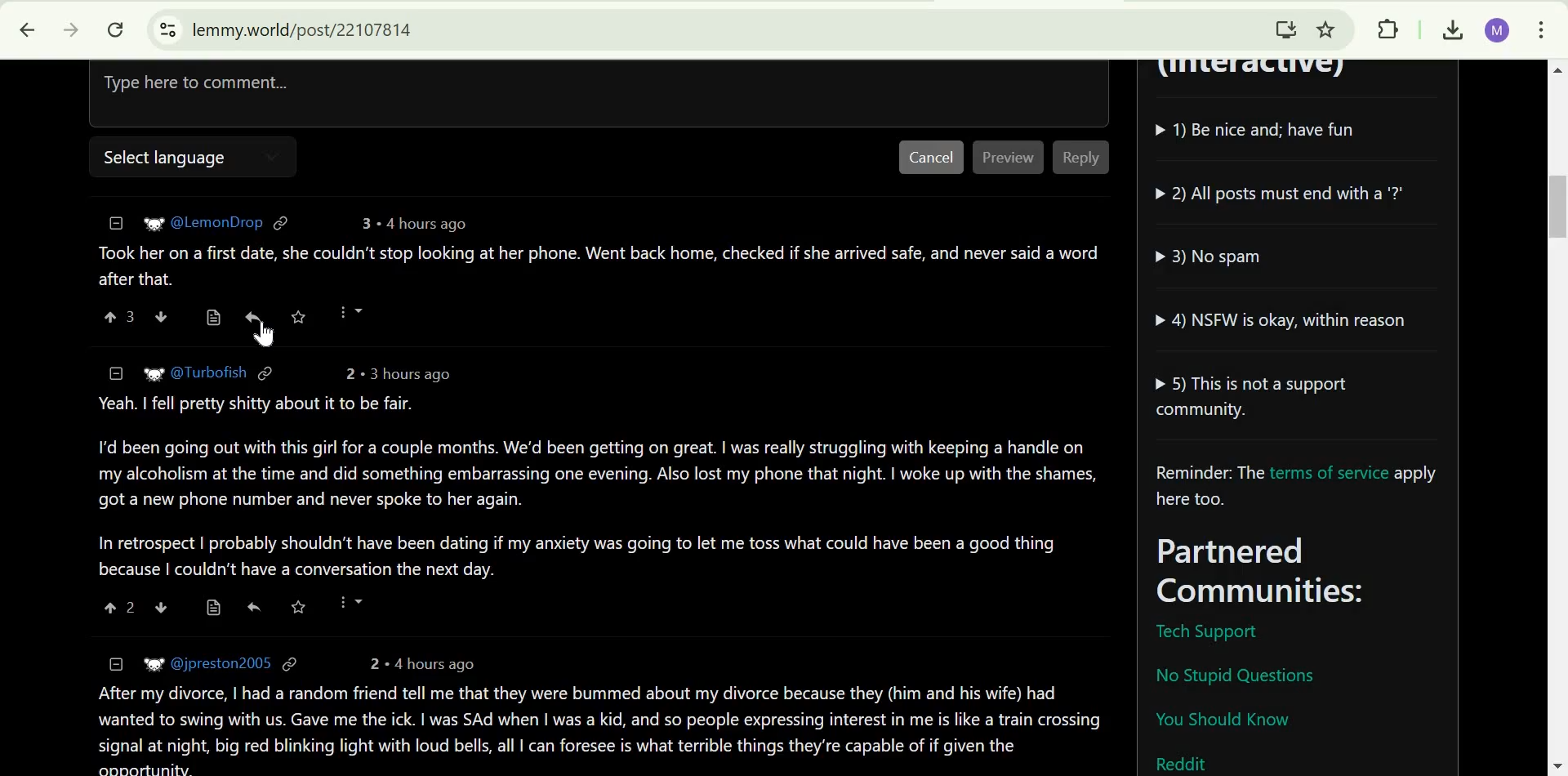  Describe the element at coordinates (267, 335) in the screenshot. I see `cursor` at that location.